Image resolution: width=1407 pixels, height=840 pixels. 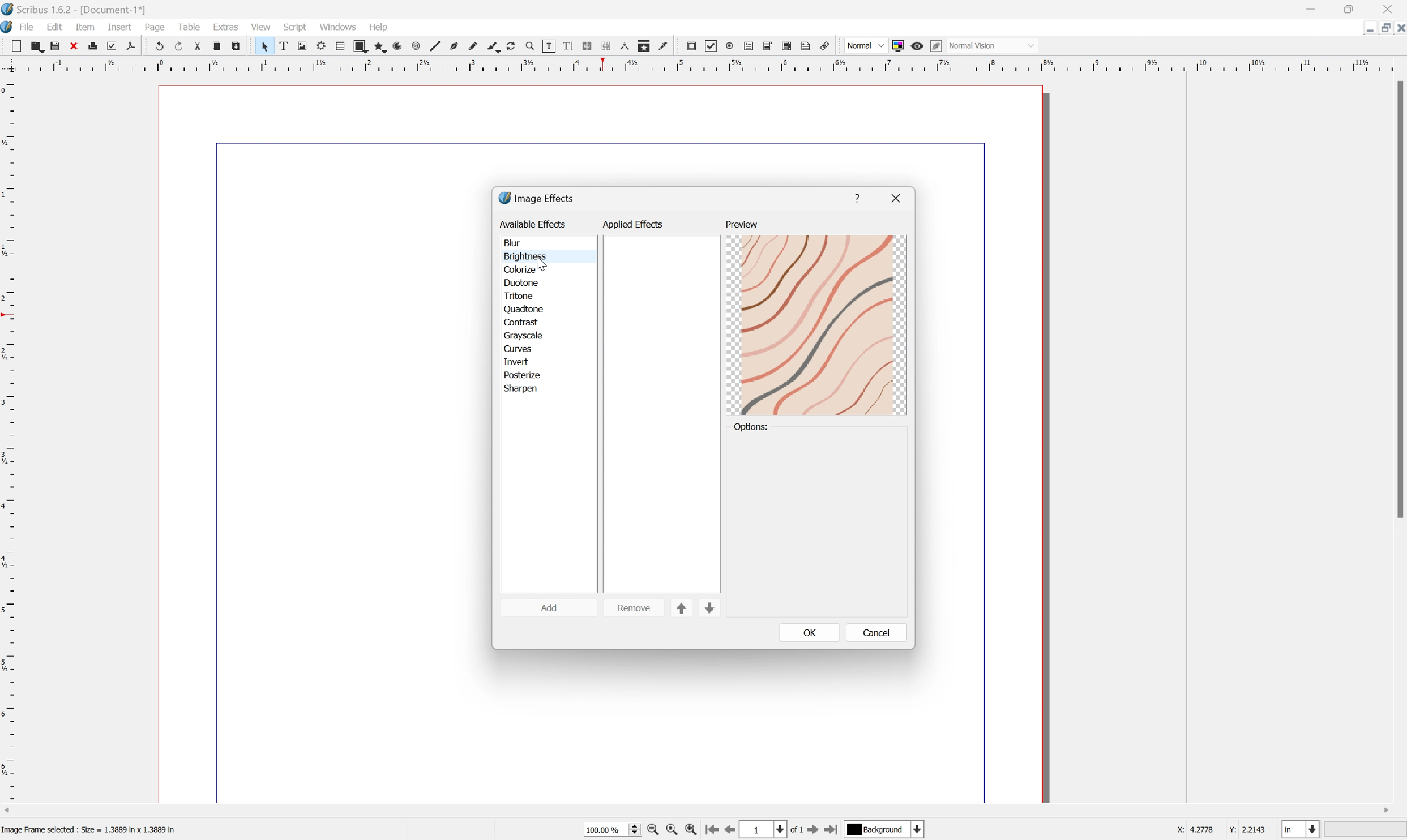 I want to click on Close, so click(x=75, y=46).